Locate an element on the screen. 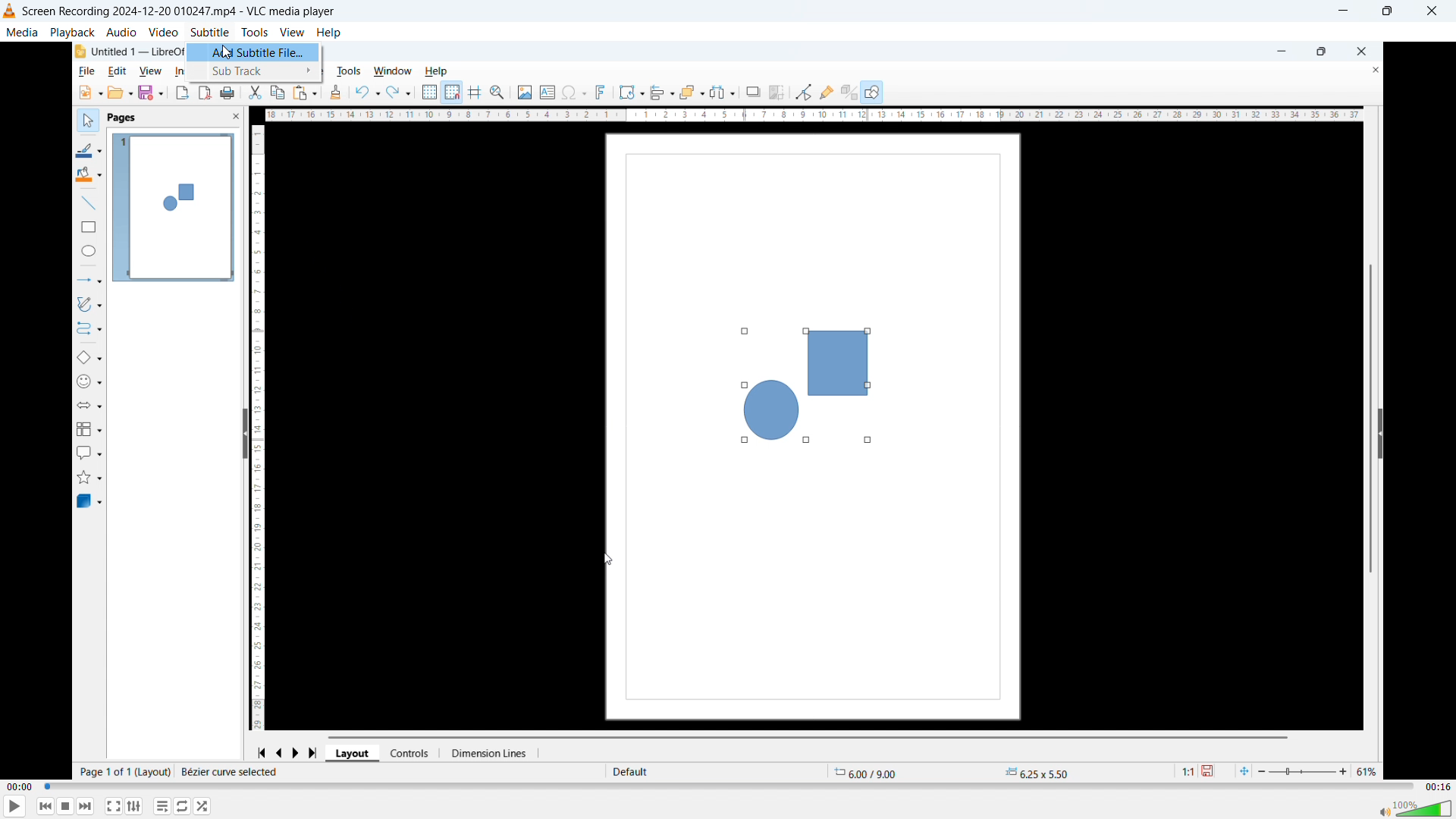 The width and height of the screenshot is (1456, 819). Video  is located at coordinates (163, 32).